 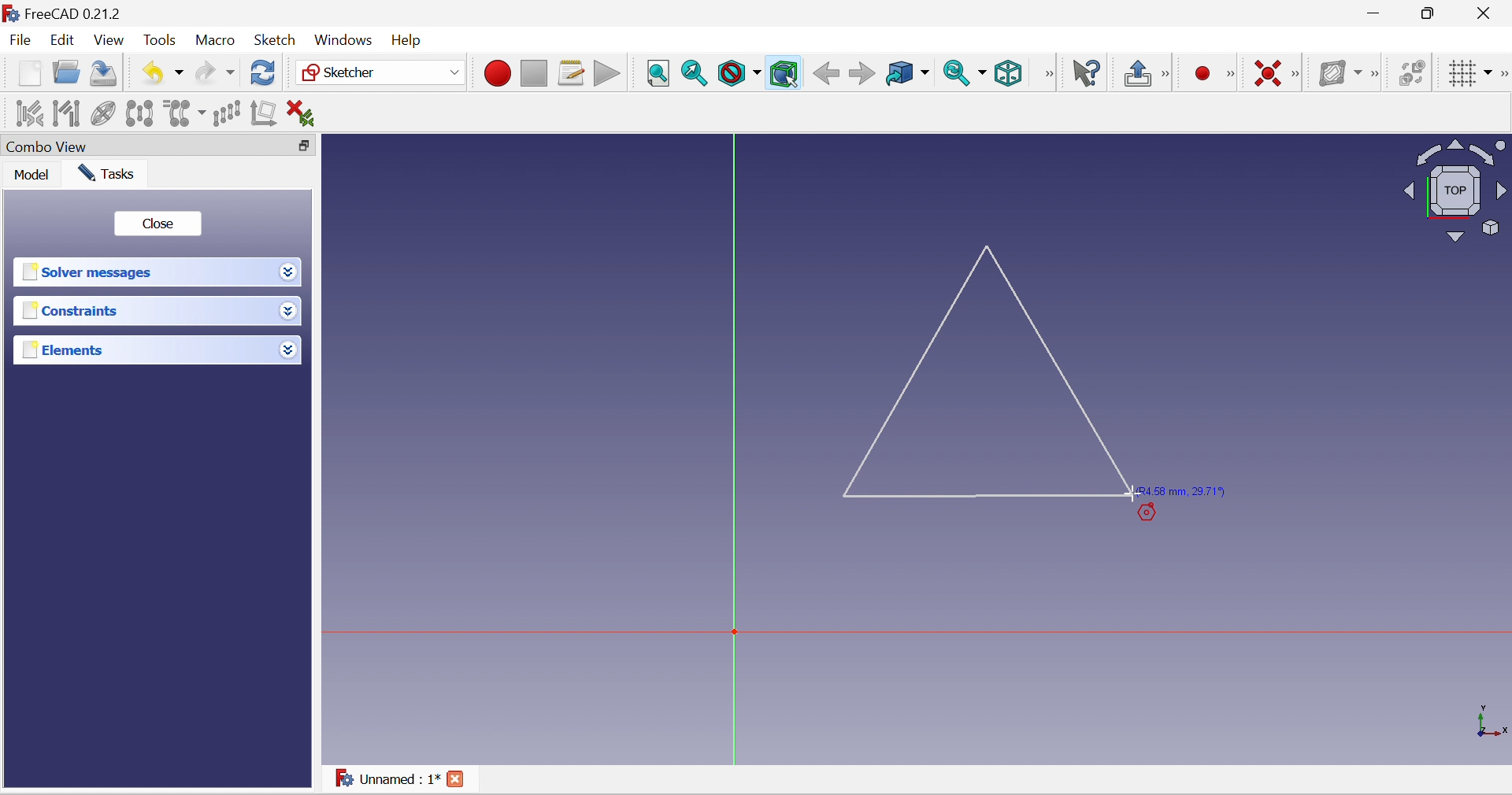 I want to click on Solver messages, so click(x=143, y=272).